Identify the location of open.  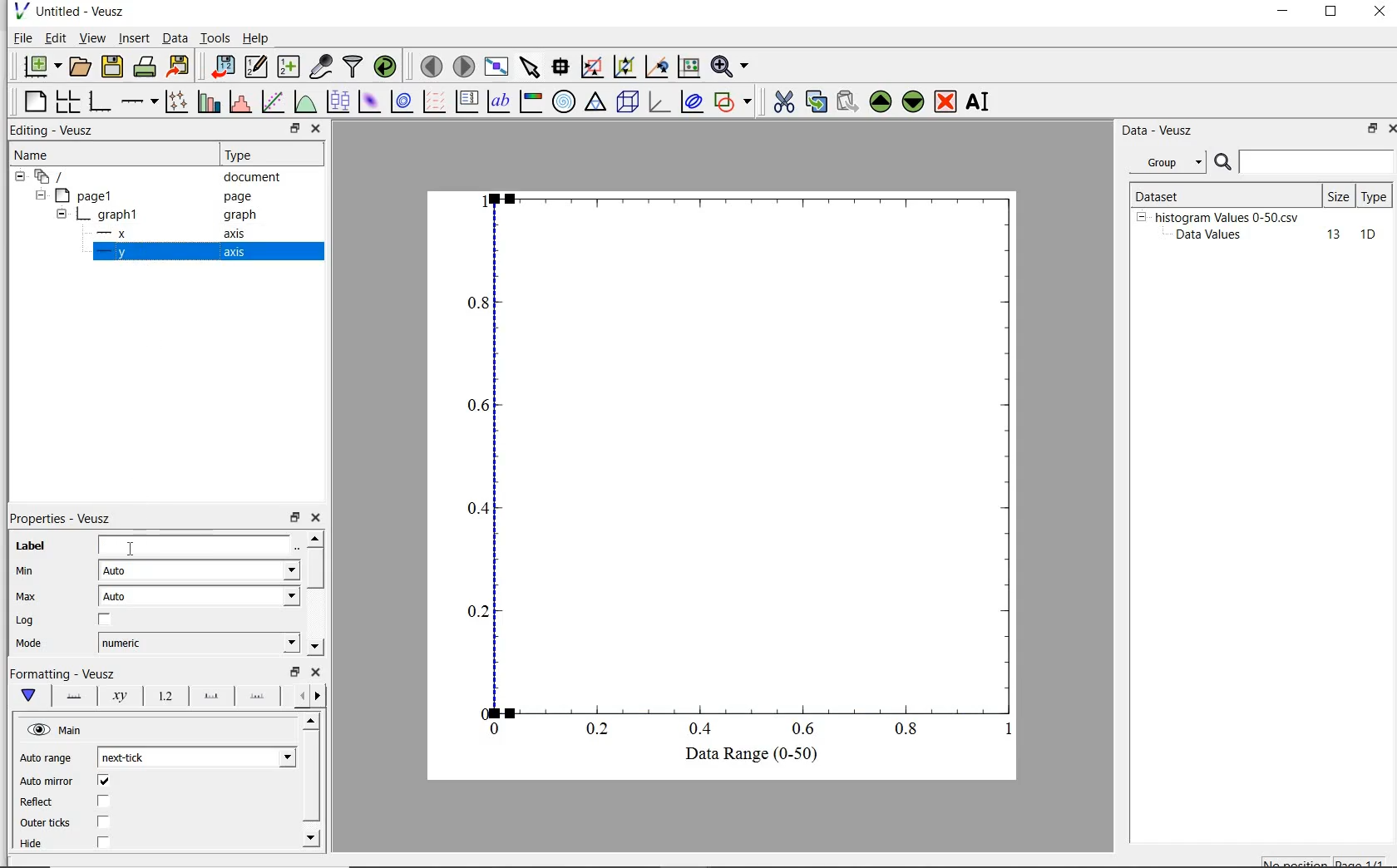
(82, 65).